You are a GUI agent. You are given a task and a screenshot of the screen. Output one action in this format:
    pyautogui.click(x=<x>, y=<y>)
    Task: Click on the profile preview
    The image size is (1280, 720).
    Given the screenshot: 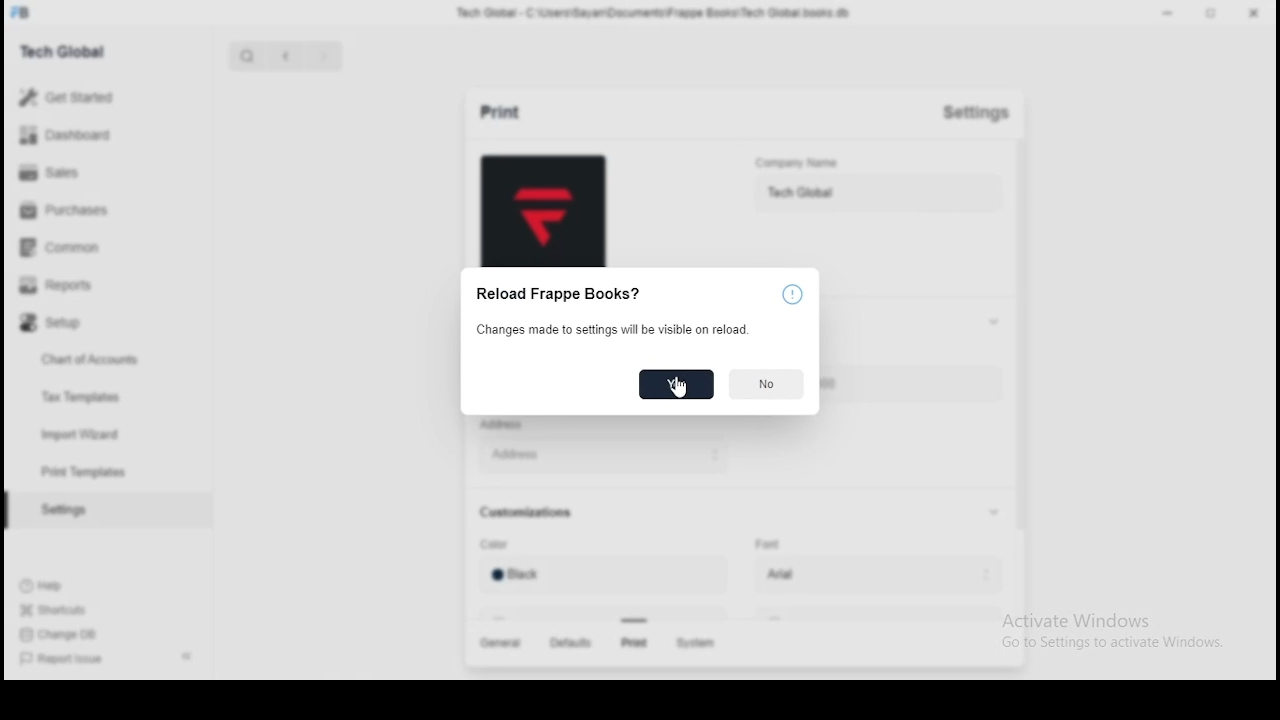 What is the action you would take?
    pyautogui.click(x=543, y=212)
    